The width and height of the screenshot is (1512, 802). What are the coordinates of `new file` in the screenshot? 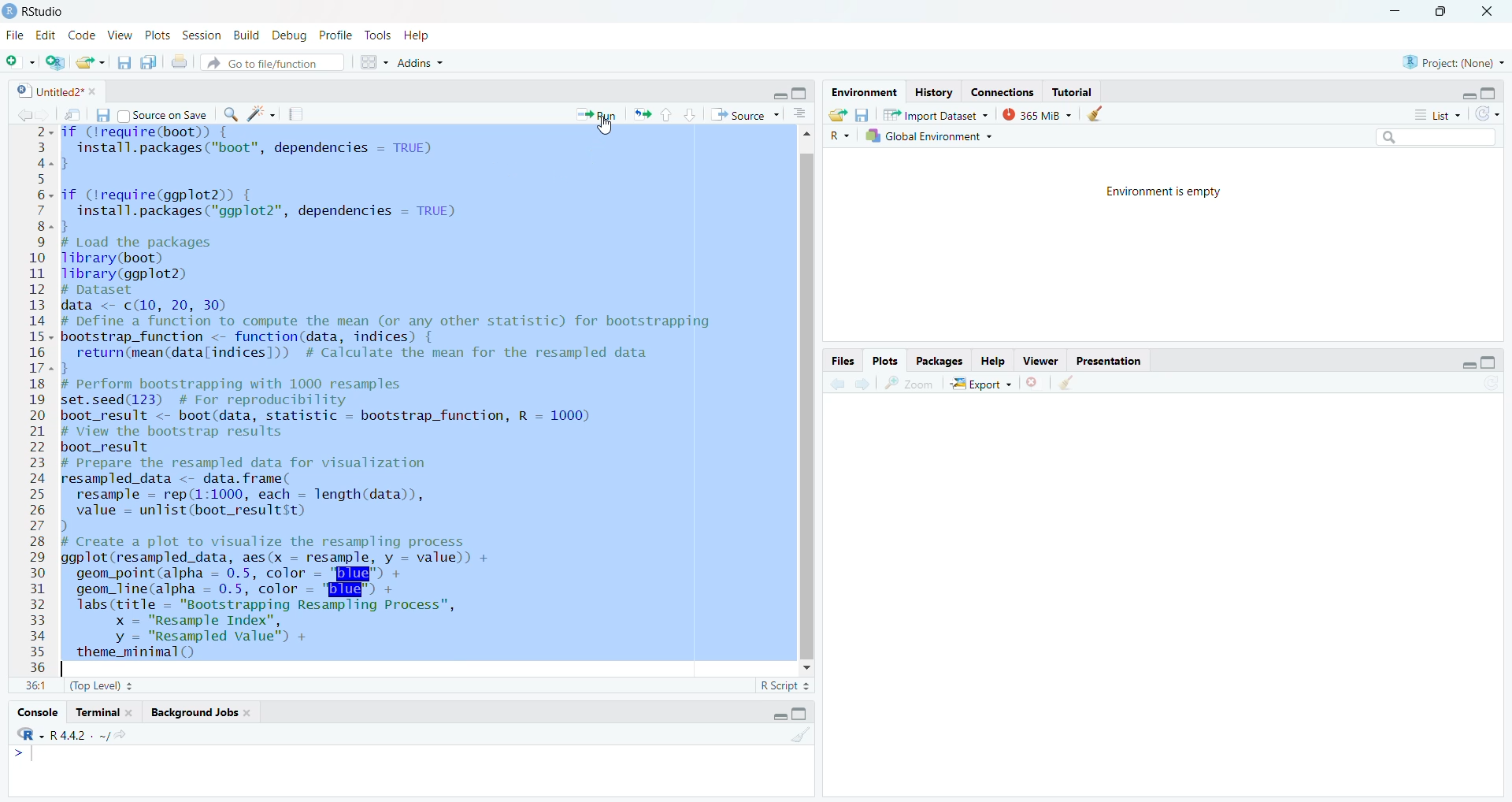 It's located at (18, 64).